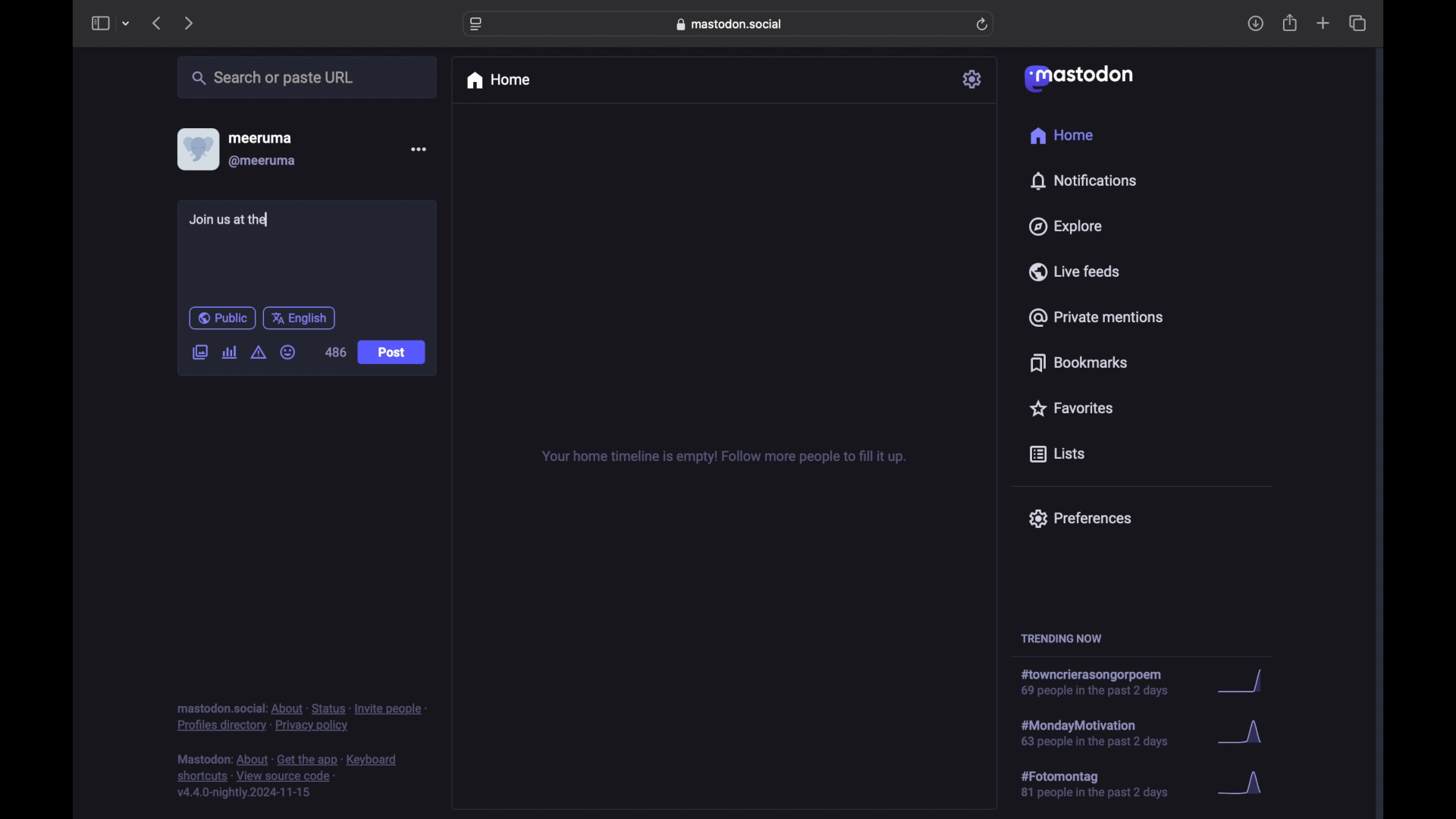 The image size is (1456, 819). Describe the element at coordinates (1057, 455) in the screenshot. I see `lists` at that location.